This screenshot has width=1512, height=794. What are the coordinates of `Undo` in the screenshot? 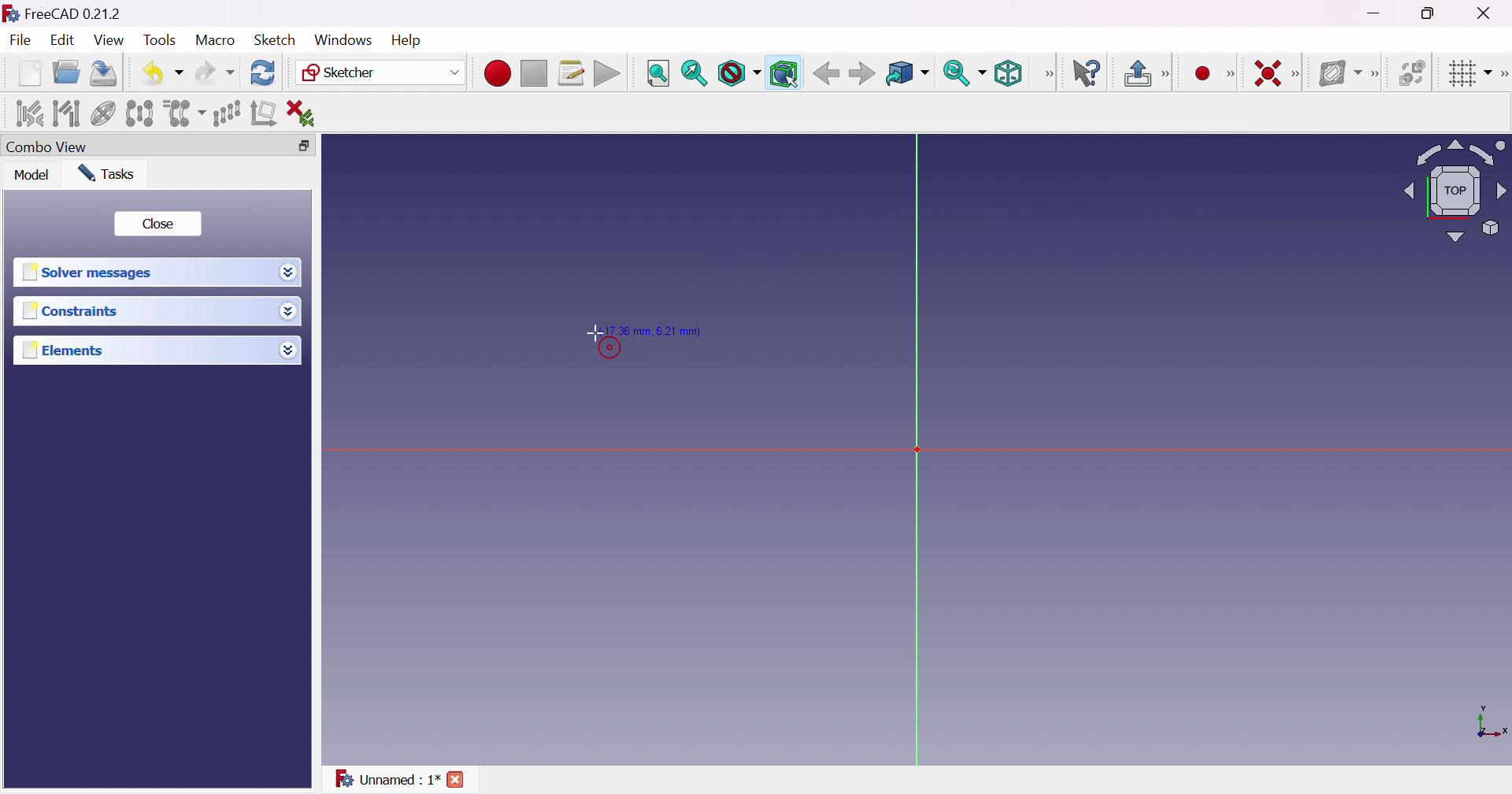 It's located at (162, 73).